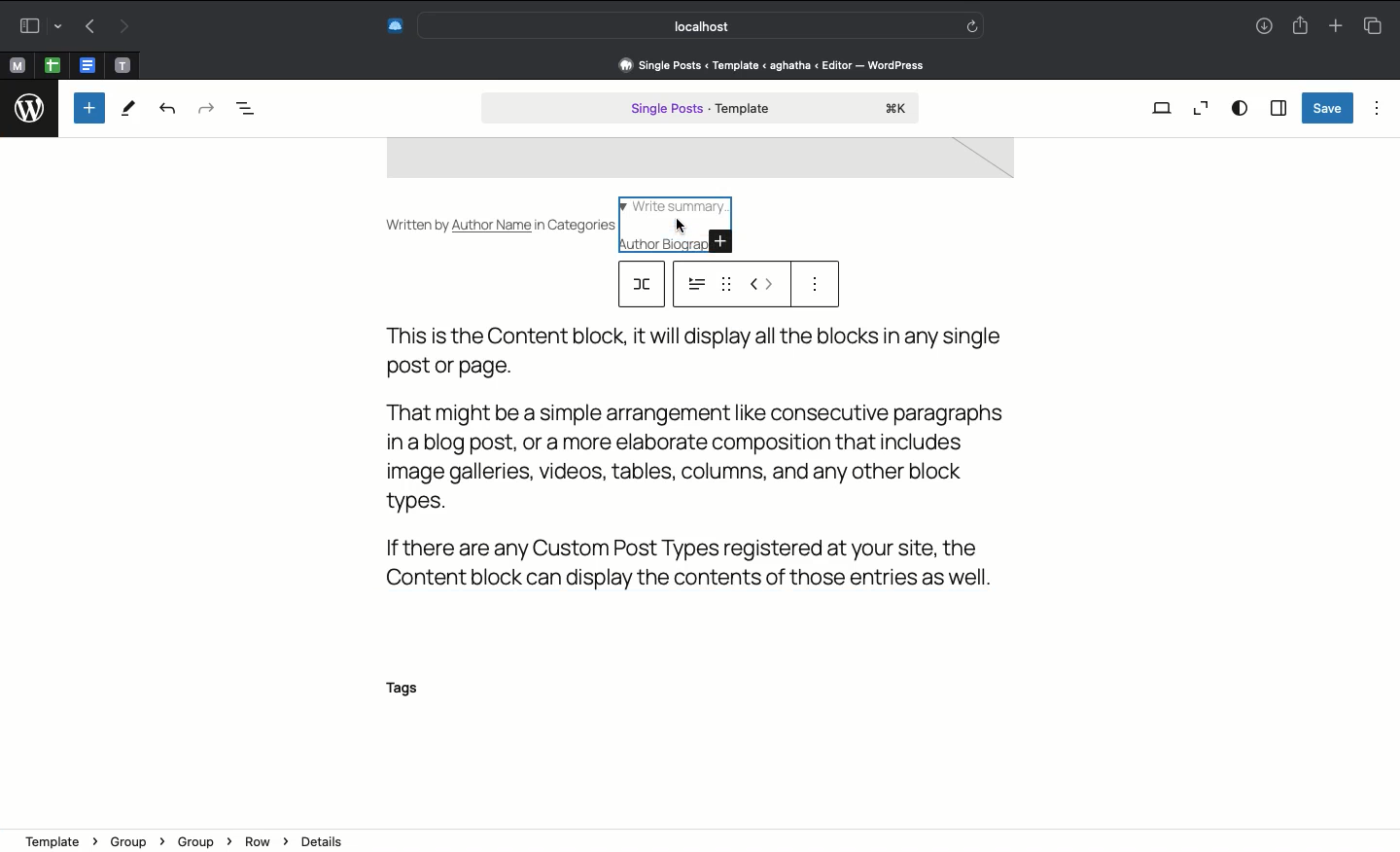  What do you see at coordinates (1261, 27) in the screenshot?
I see `Download` at bounding box center [1261, 27].